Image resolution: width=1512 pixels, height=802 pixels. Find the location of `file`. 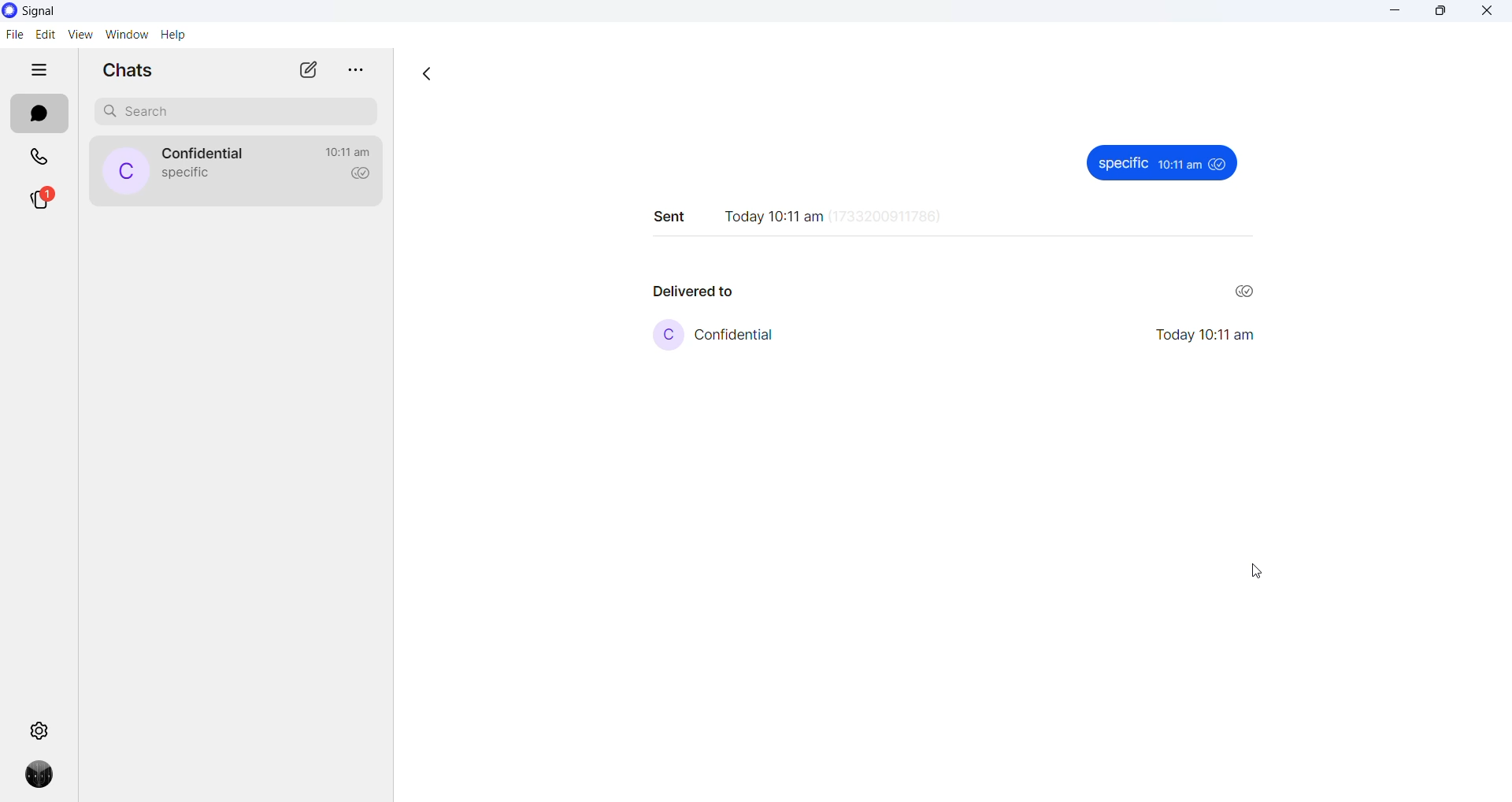

file is located at coordinates (16, 36).